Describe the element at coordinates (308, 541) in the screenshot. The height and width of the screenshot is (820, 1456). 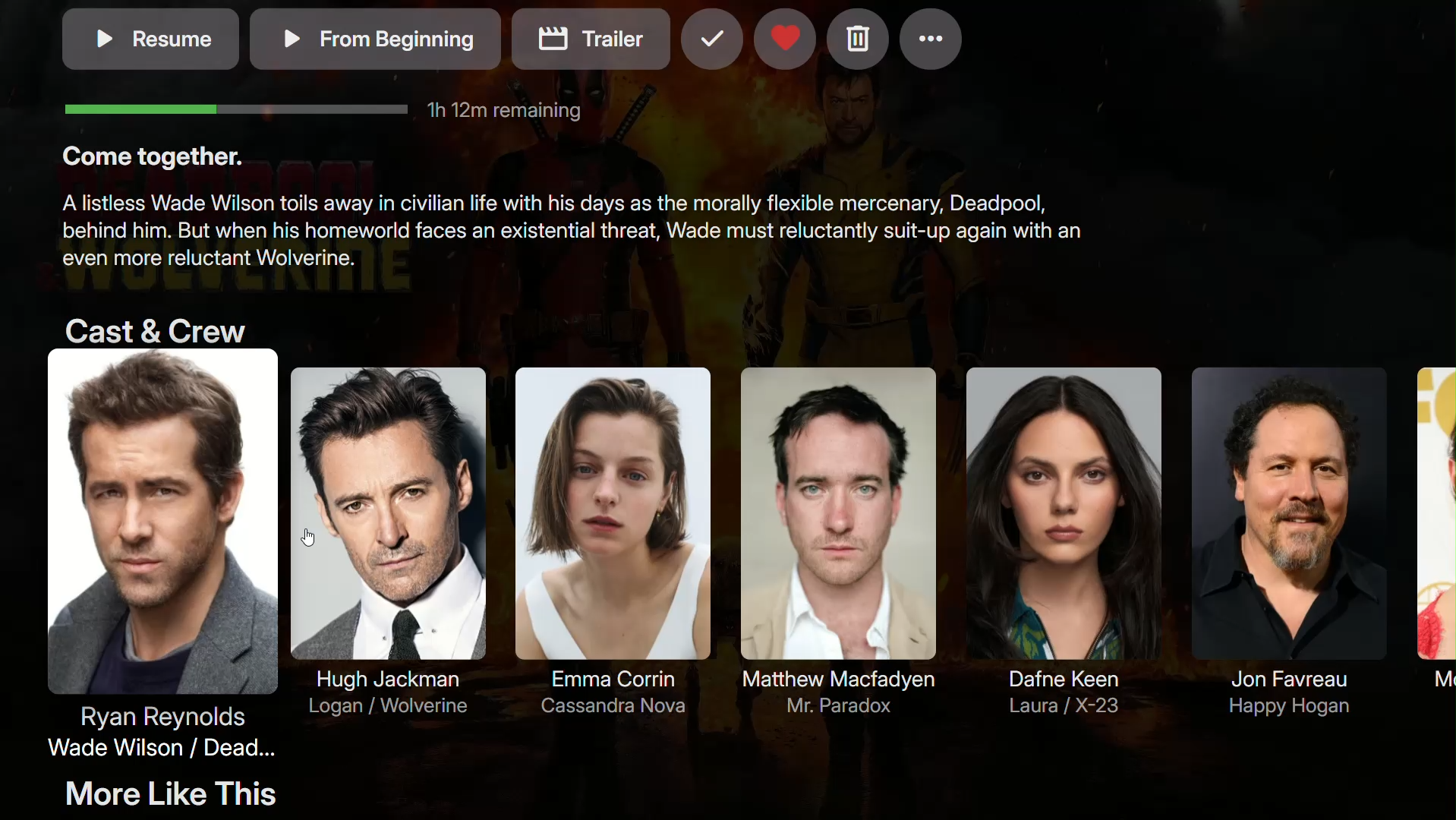
I see `cursor` at that location.